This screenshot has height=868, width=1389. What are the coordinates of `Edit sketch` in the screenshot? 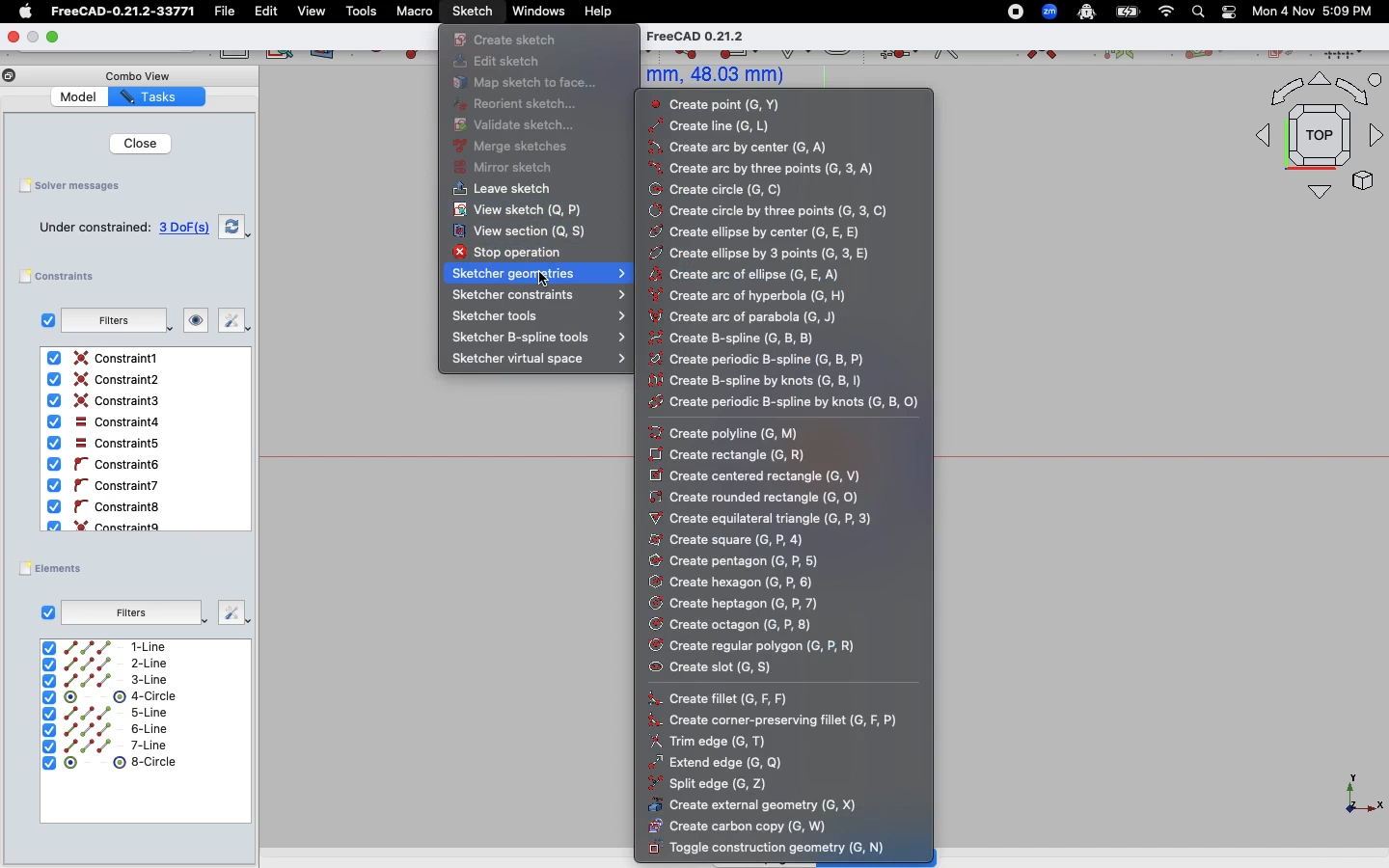 It's located at (500, 63).